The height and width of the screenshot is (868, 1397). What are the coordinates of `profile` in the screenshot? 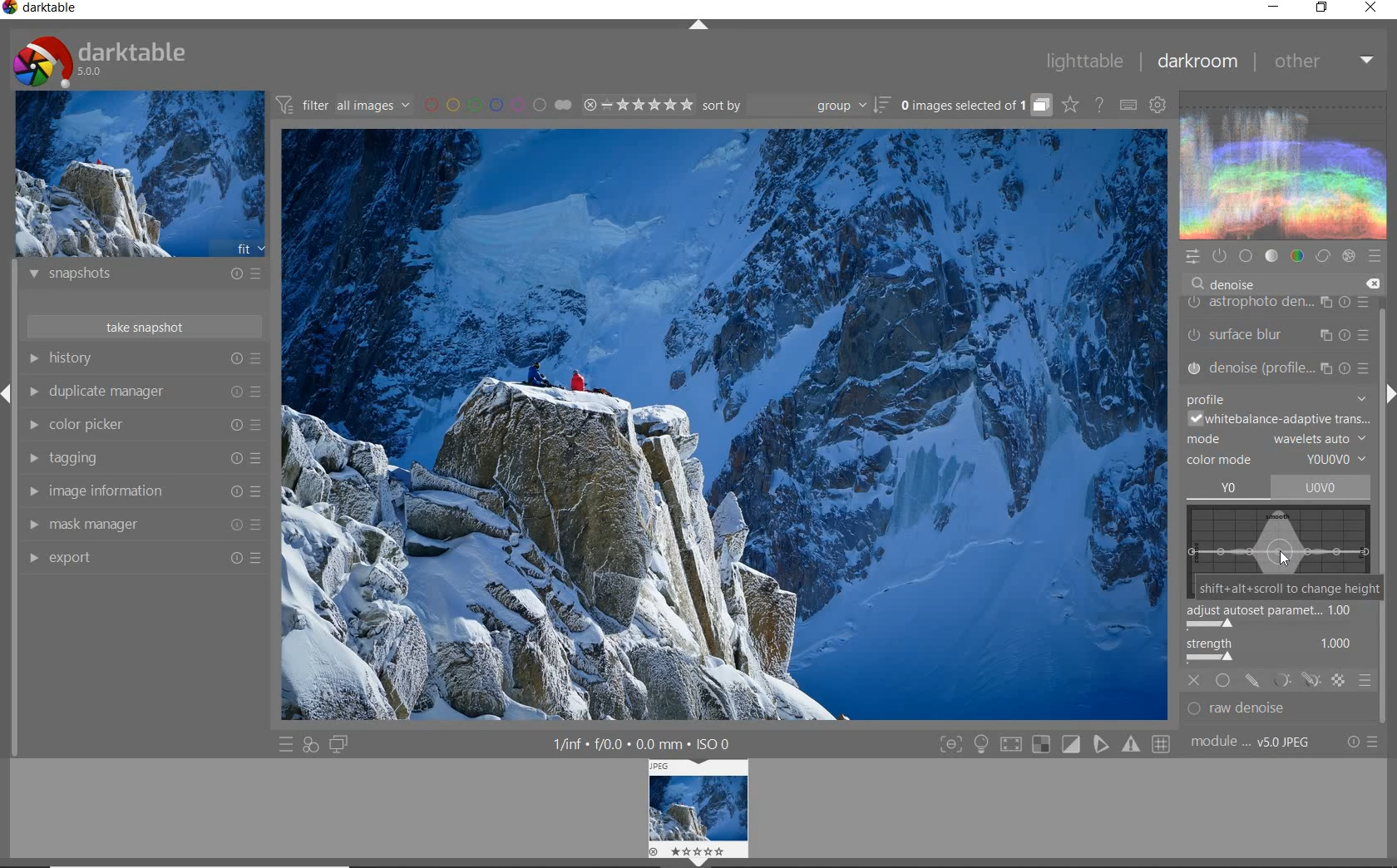 It's located at (1276, 395).